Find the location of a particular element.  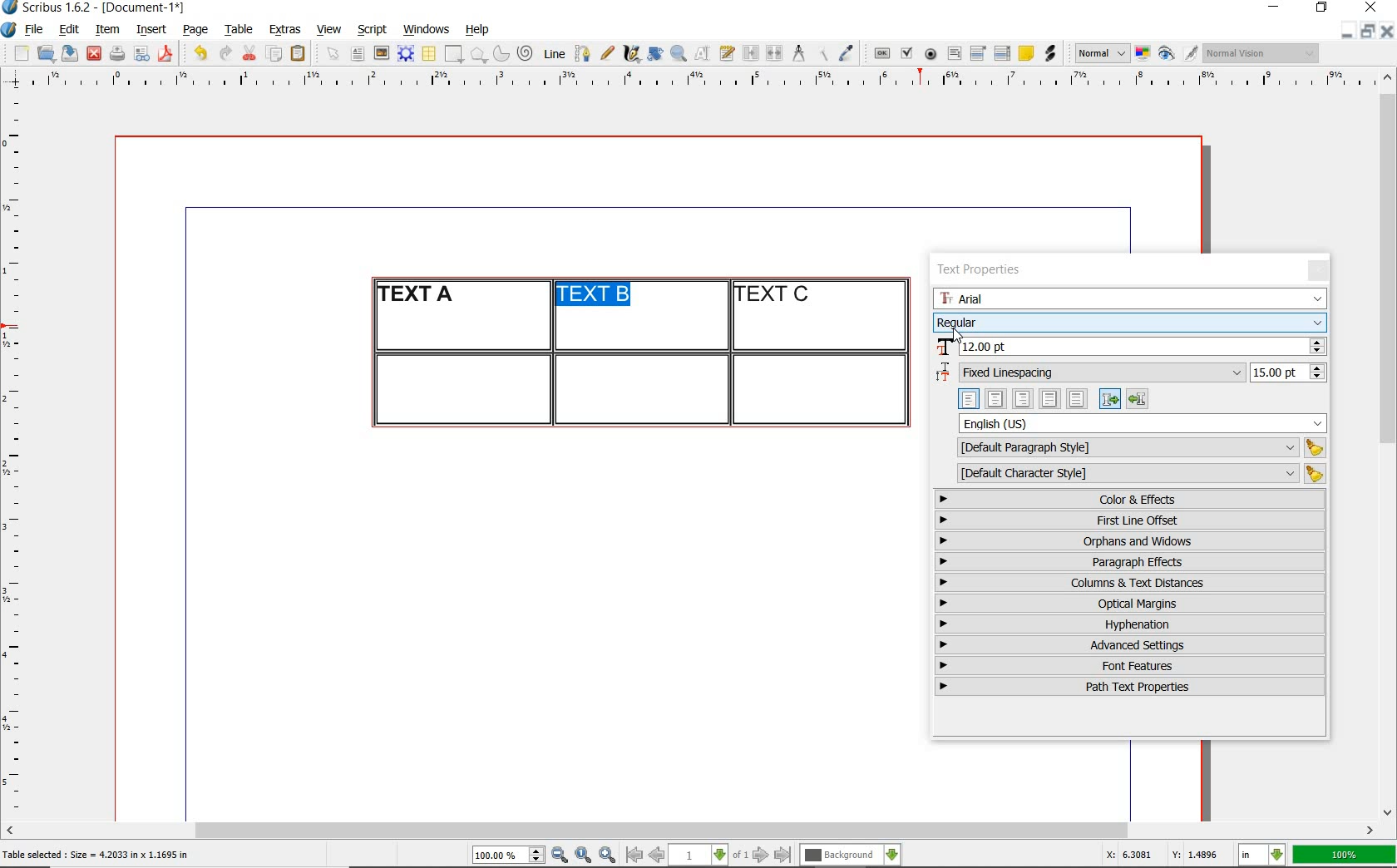

path text properties is located at coordinates (1128, 687).